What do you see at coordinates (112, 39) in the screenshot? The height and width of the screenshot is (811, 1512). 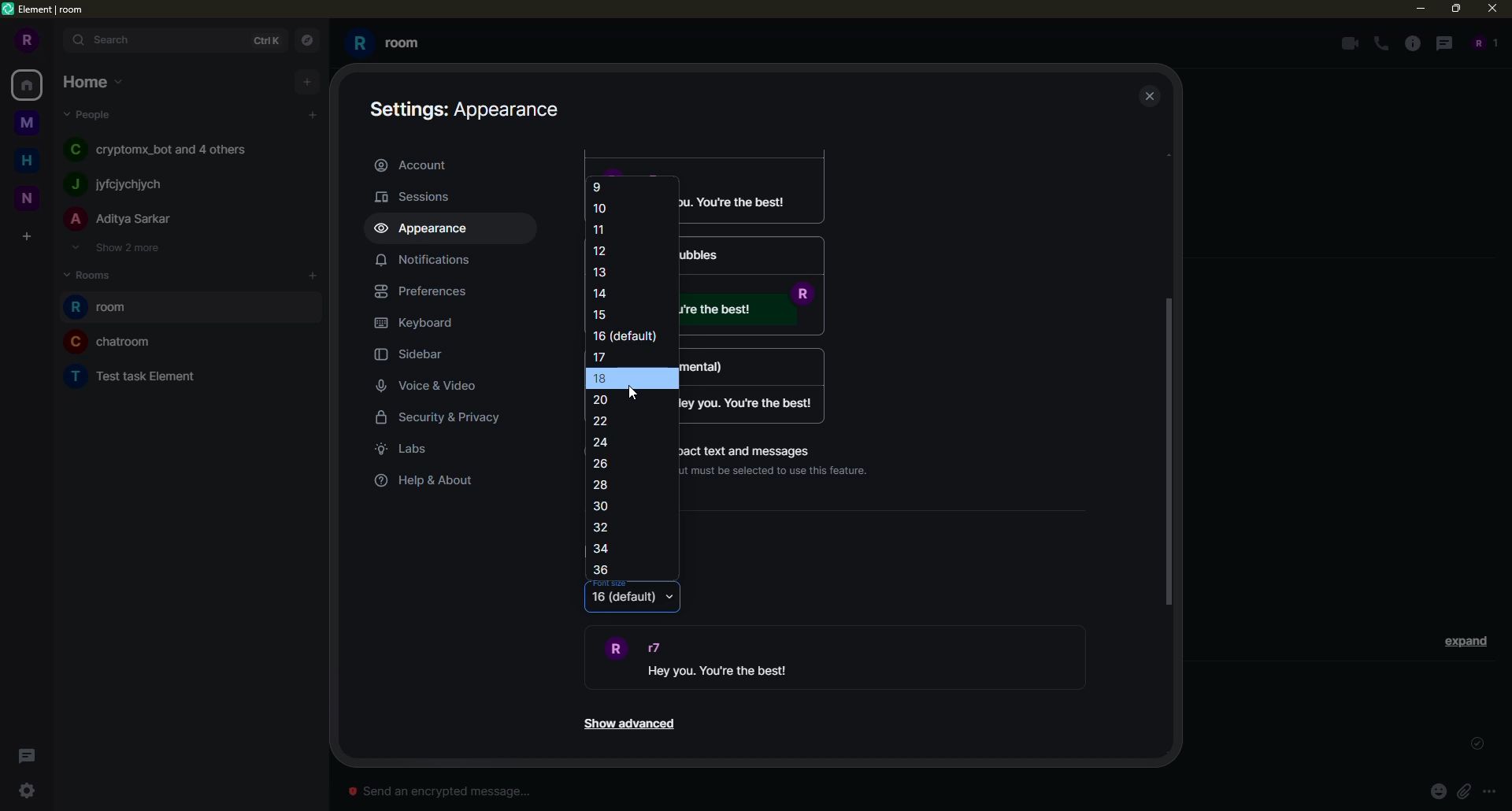 I see `search` at bounding box center [112, 39].